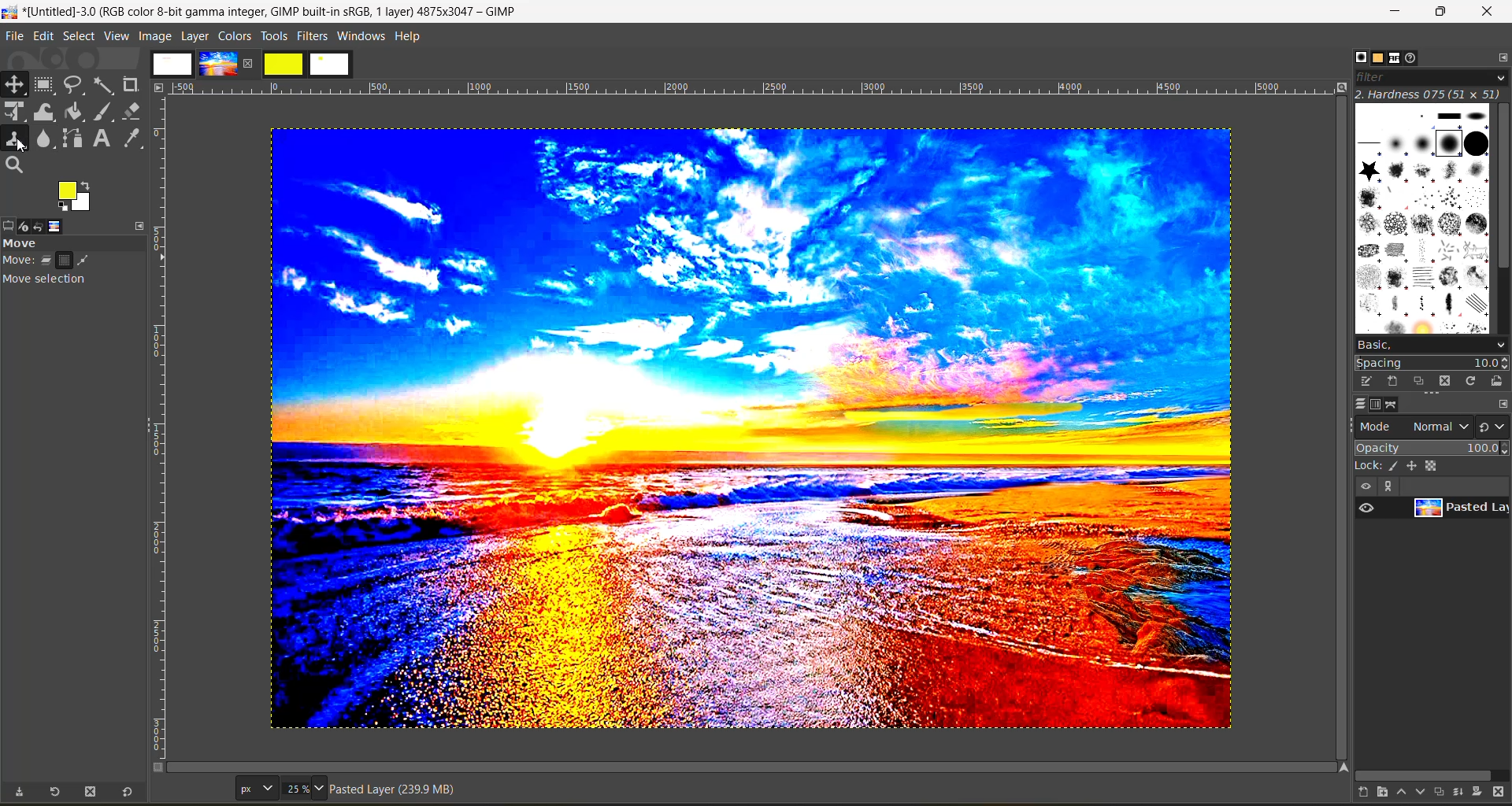 The image size is (1512, 806). Describe the element at coordinates (254, 788) in the screenshot. I see `px` at that location.